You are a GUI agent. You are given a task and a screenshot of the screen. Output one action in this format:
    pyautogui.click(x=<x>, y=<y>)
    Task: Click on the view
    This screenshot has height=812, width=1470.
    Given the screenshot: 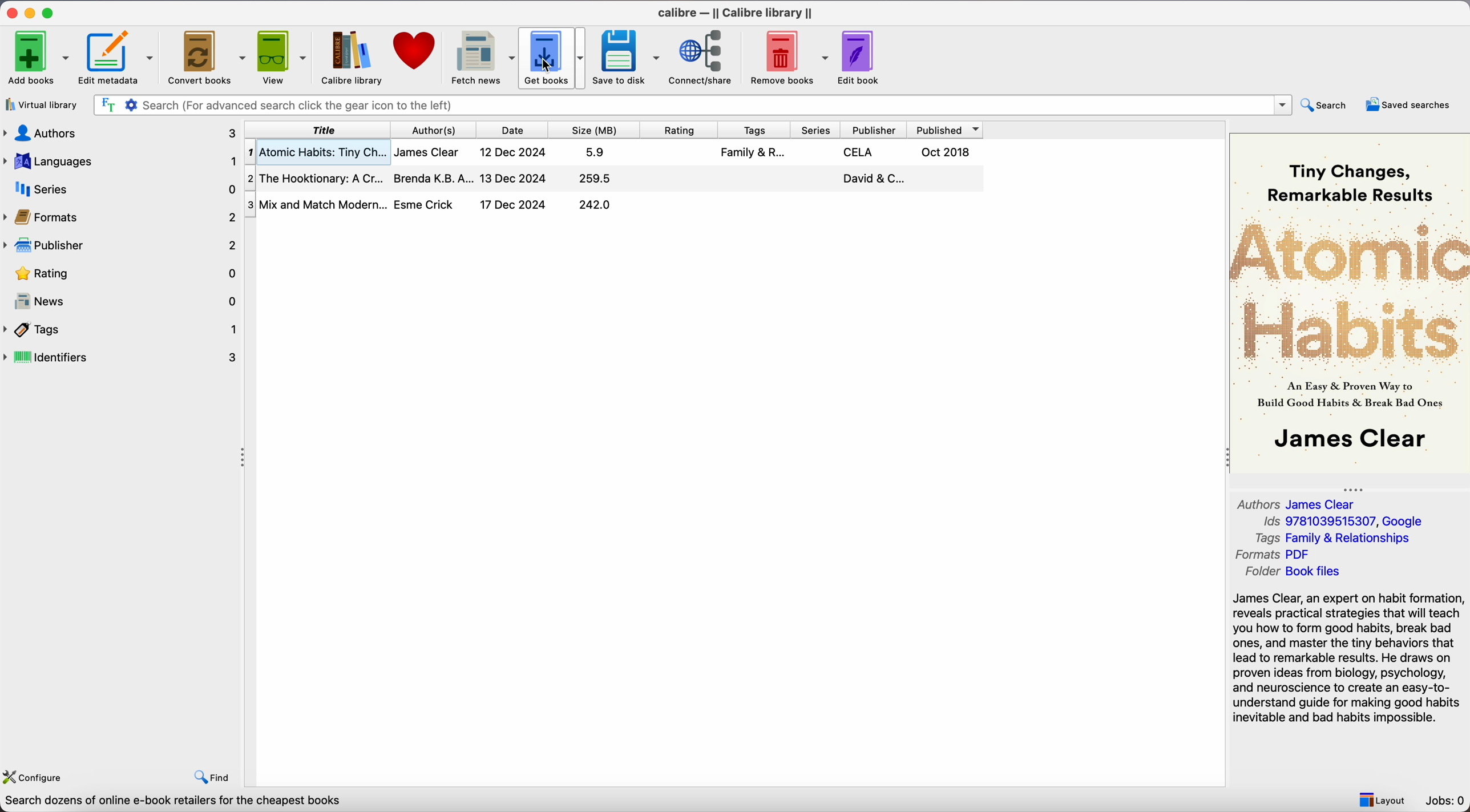 What is the action you would take?
    pyautogui.click(x=281, y=57)
    